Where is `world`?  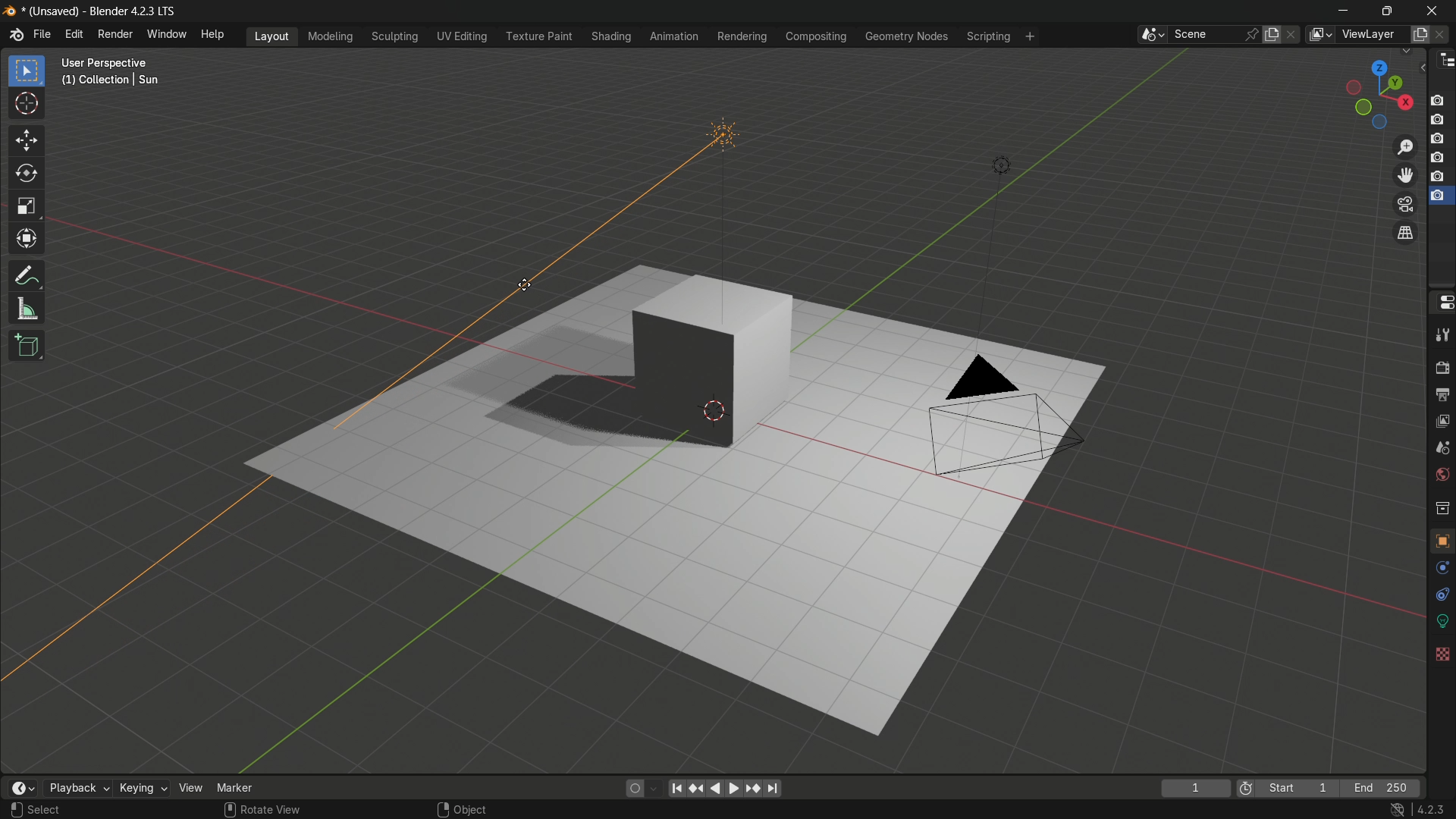 world is located at coordinates (1443, 475).